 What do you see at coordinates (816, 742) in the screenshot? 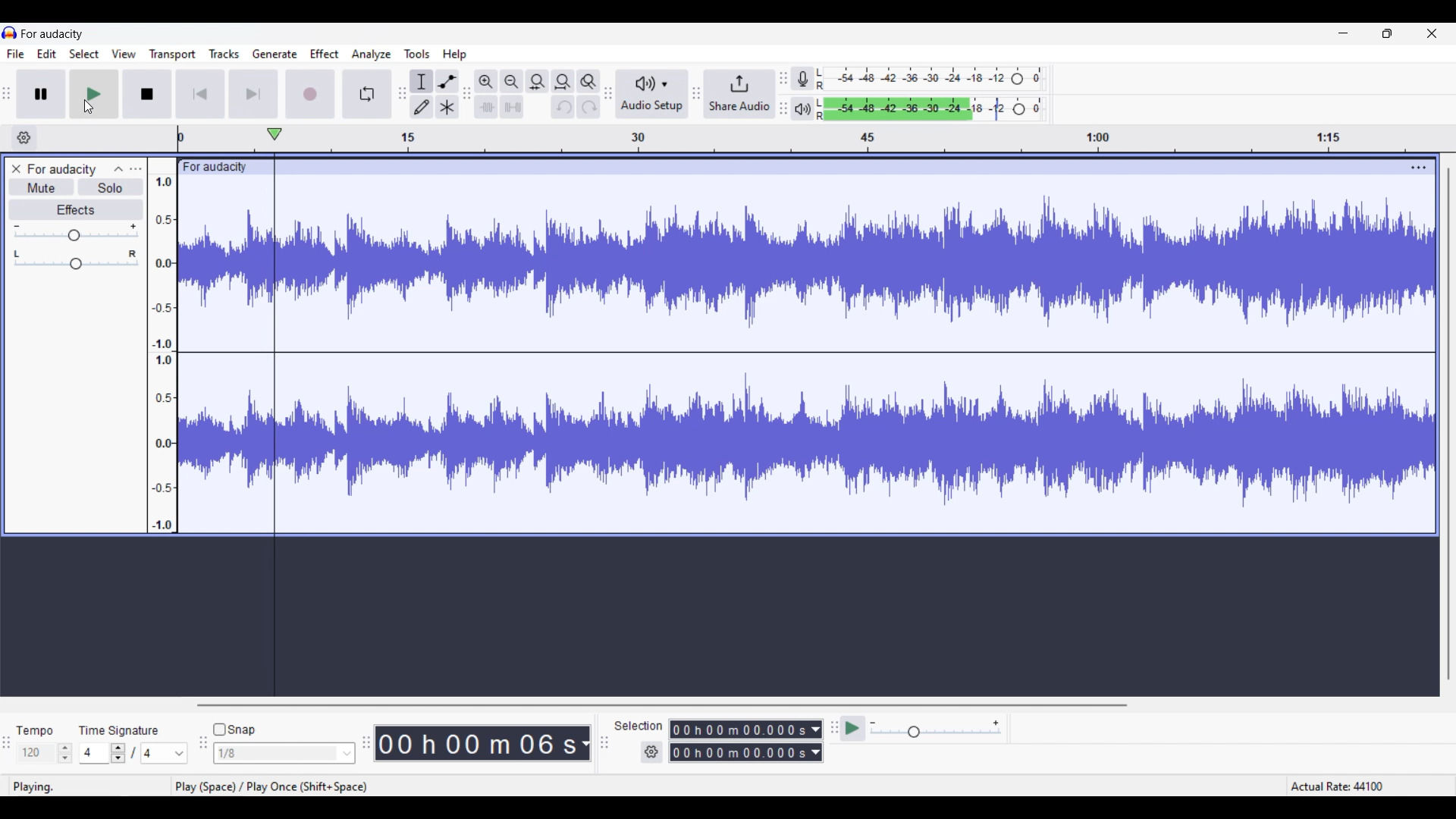
I see `Duration measurement` at bounding box center [816, 742].